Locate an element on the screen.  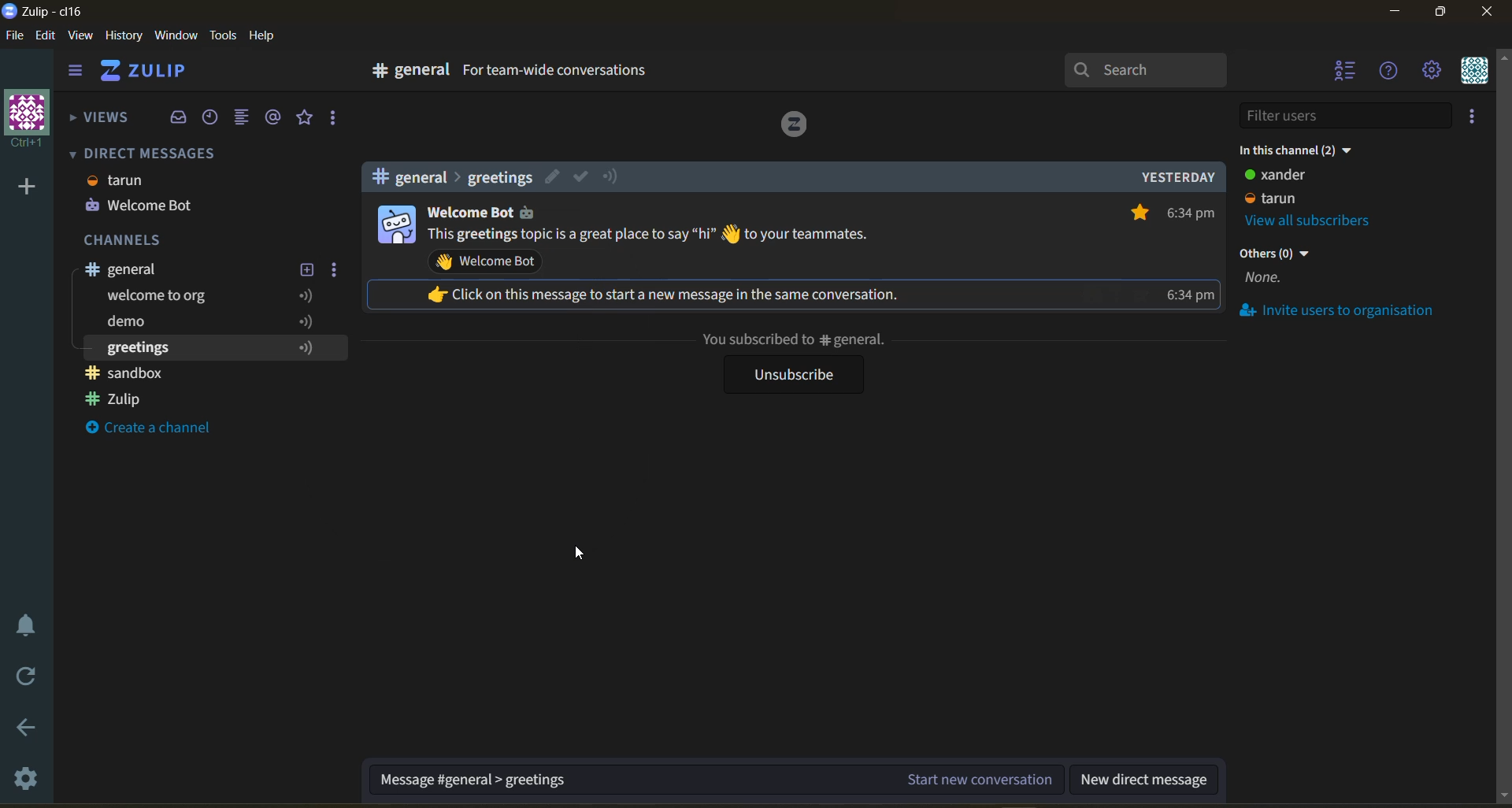
maximize is located at coordinates (1442, 13).